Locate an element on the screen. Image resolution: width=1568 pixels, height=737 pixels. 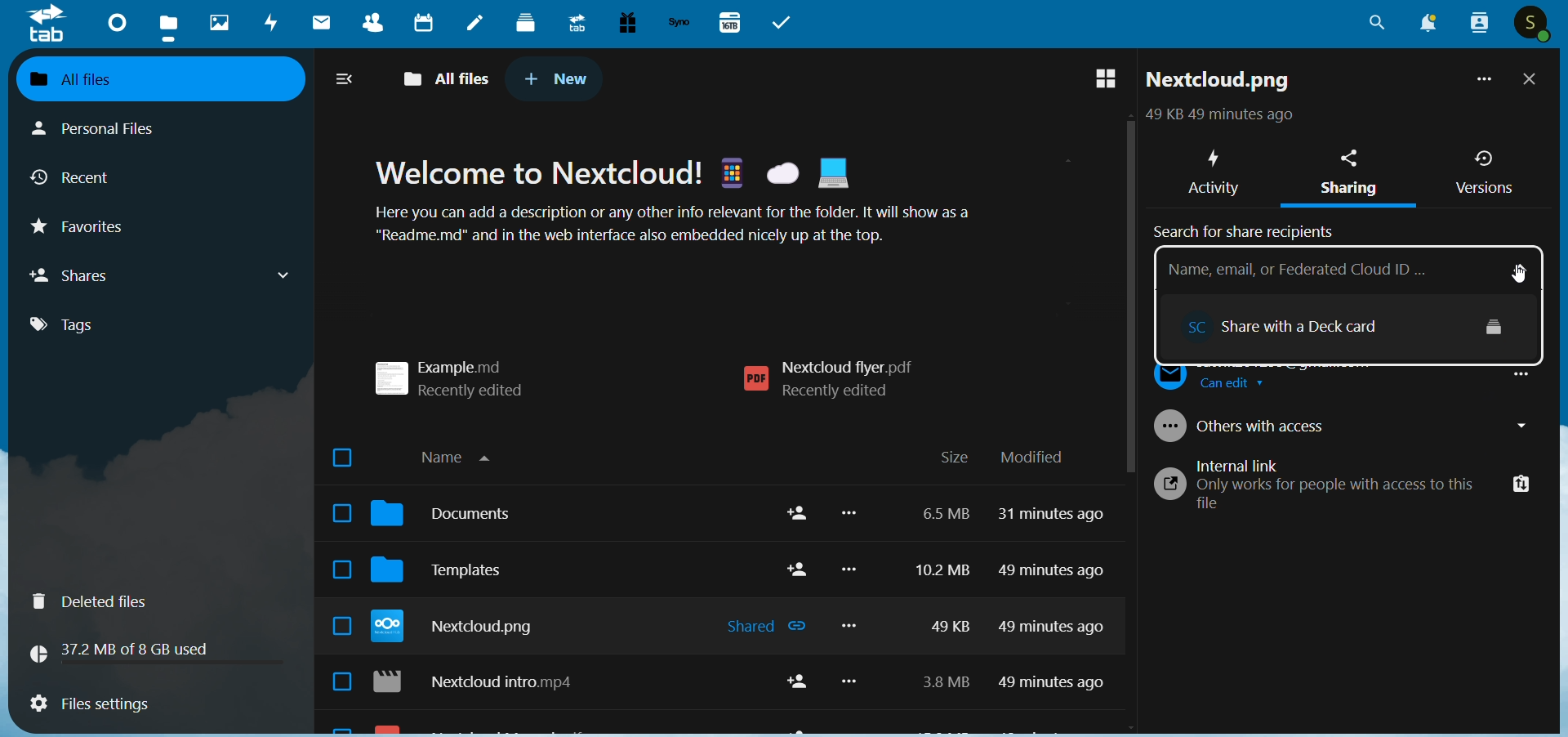
versions is located at coordinates (1484, 172).